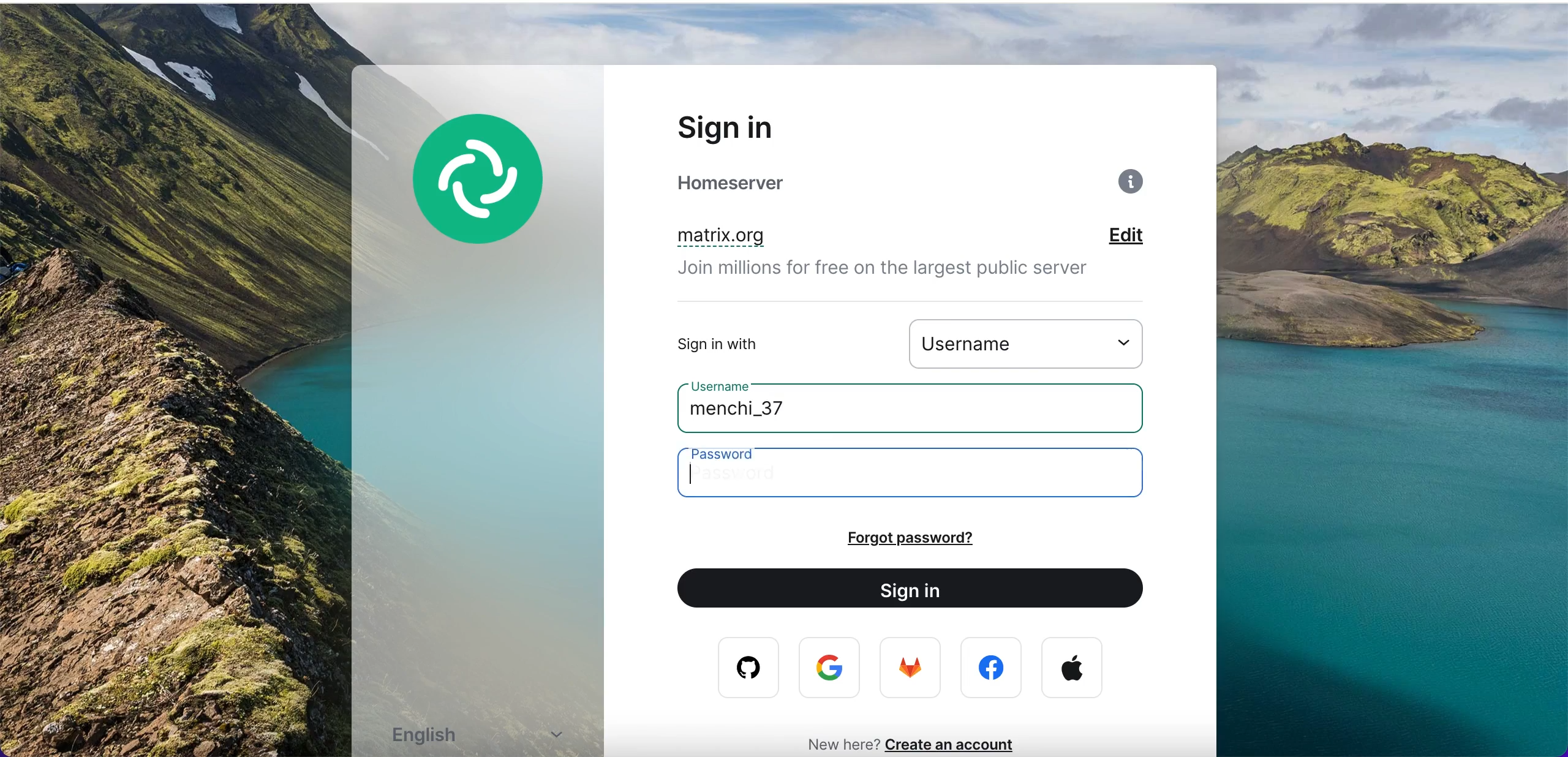 This screenshot has width=1568, height=757. Describe the element at coordinates (924, 475) in the screenshot. I see `password` at that location.